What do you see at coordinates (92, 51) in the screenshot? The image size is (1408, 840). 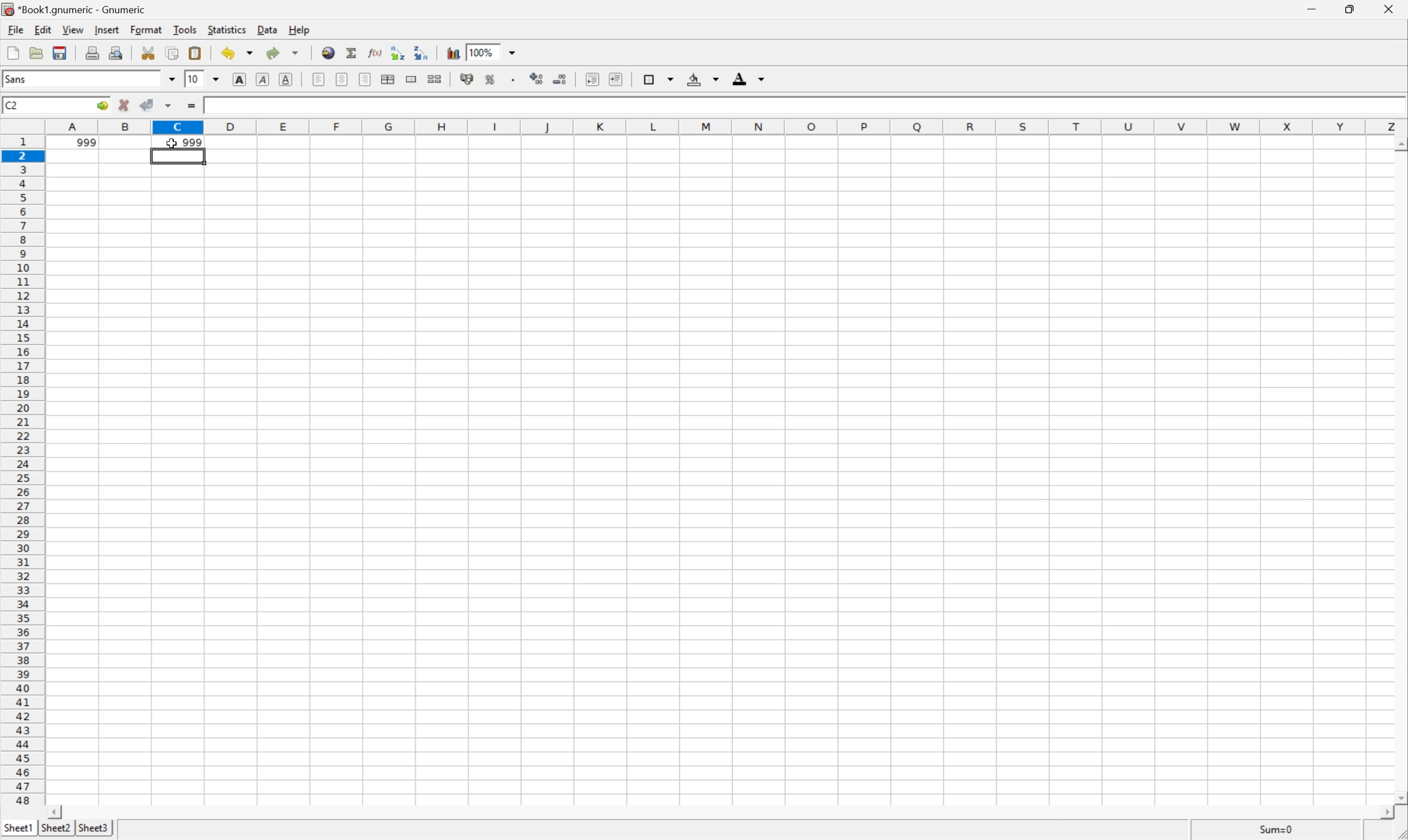 I see `print current file` at bounding box center [92, 51].